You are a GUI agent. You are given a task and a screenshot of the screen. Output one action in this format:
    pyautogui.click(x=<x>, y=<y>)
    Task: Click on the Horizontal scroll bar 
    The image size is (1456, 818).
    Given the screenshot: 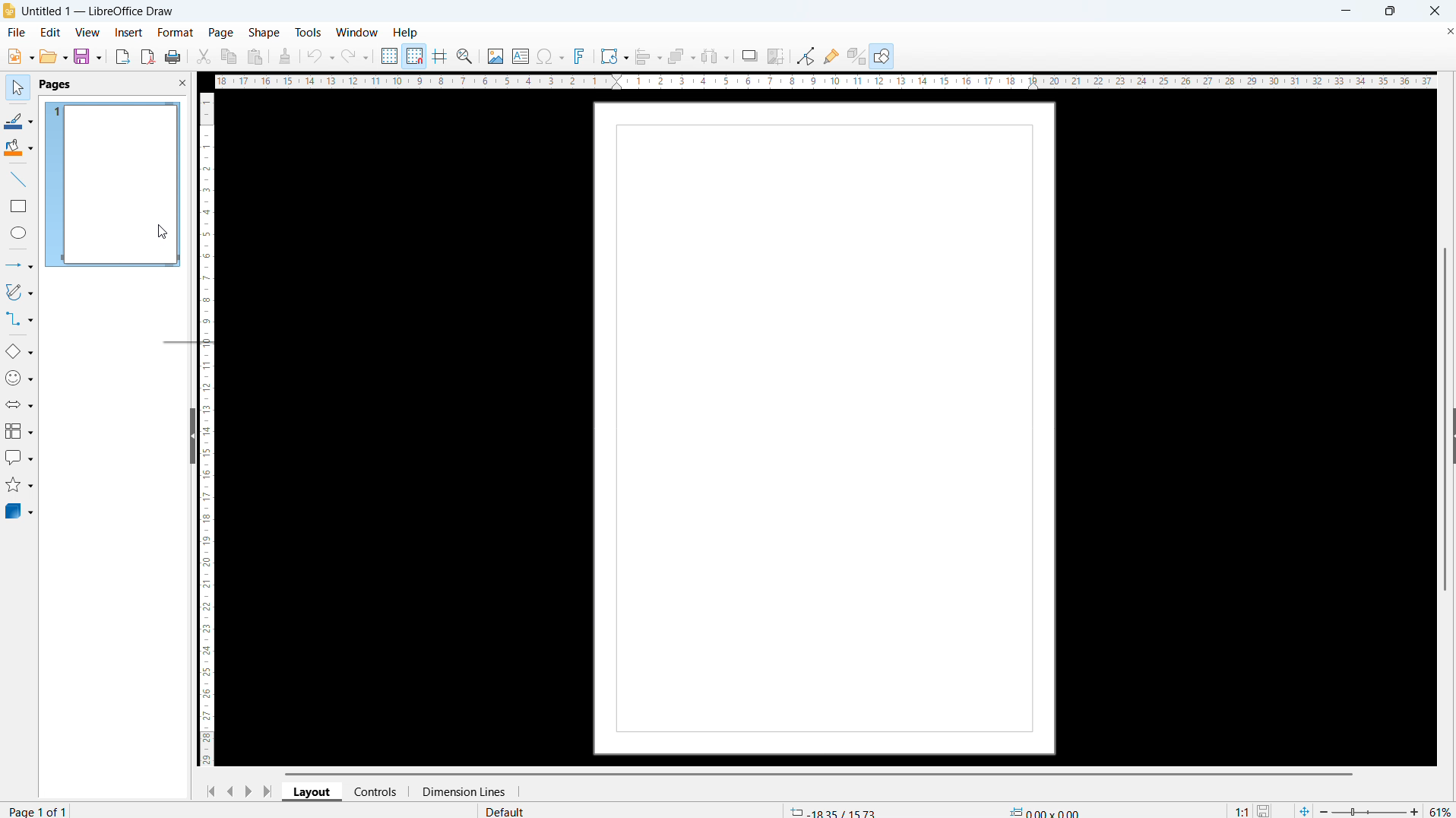 What is the action you would take?
    pyautogui.click(x=818, y=772)
    